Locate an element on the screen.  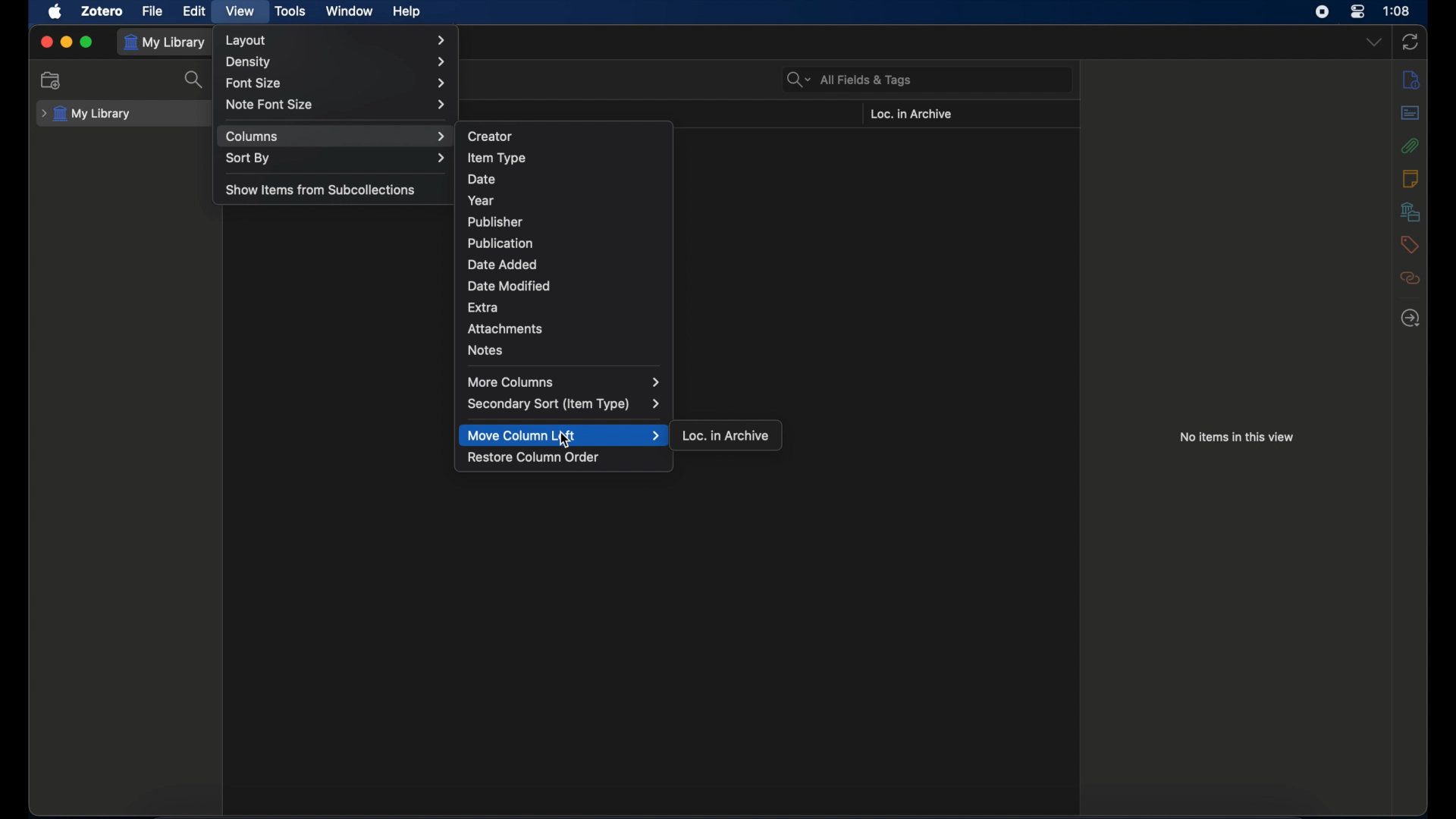
search bar is located at coordinates (849, 79).